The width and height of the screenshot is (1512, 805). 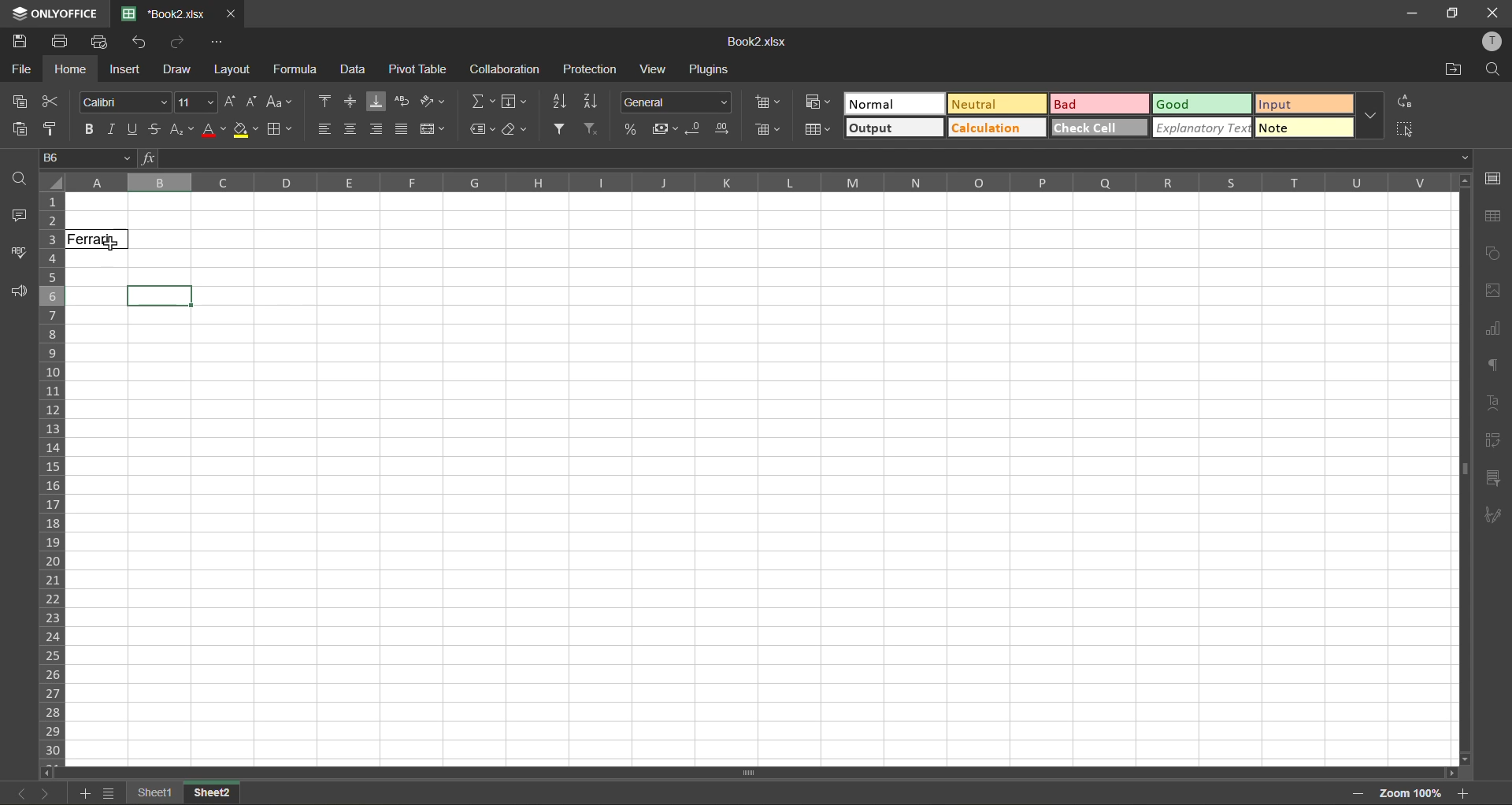 I want to click on delete cells, so click(x=768, y=129).